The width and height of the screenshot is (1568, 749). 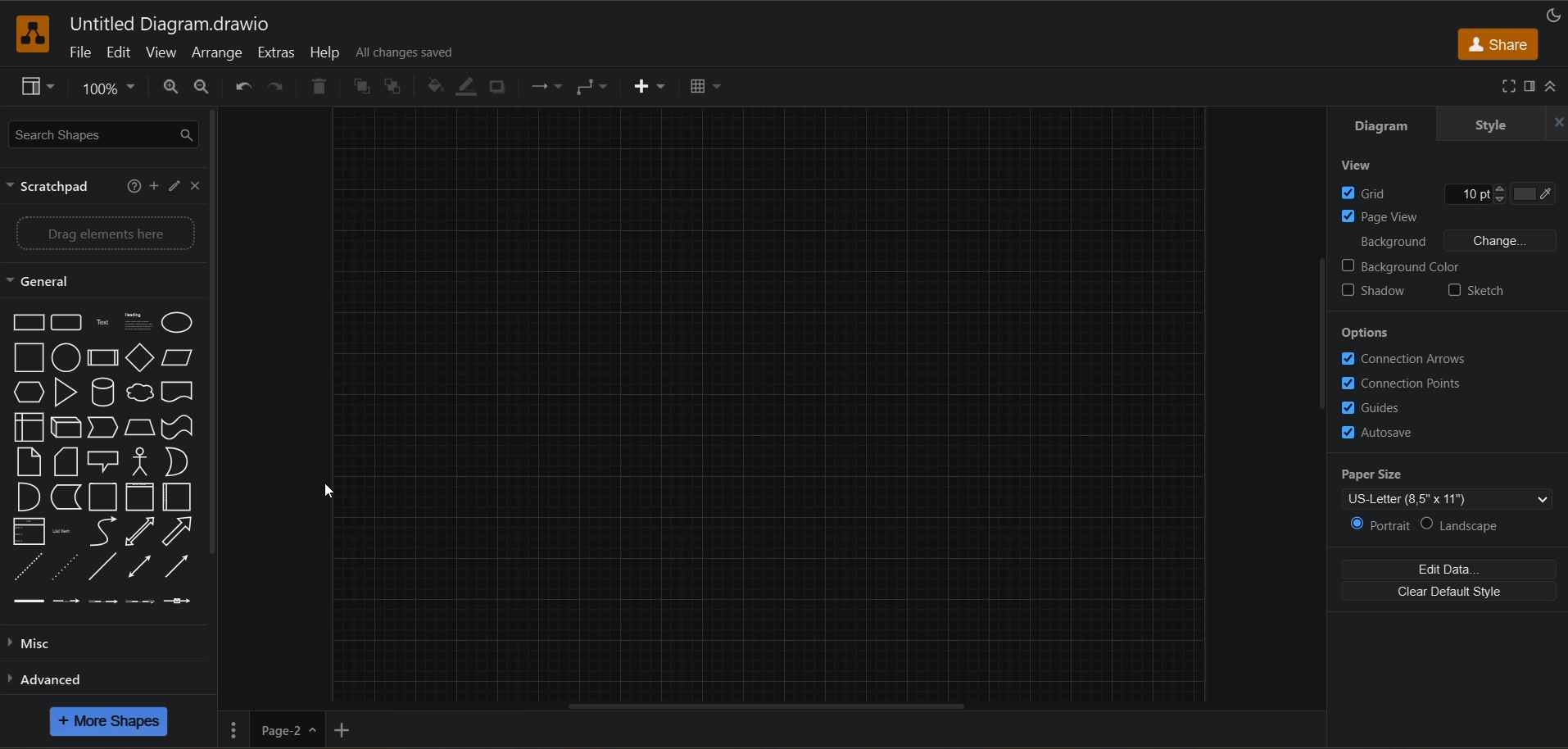 I want to click on search shapes, so click(x=105, y=136).